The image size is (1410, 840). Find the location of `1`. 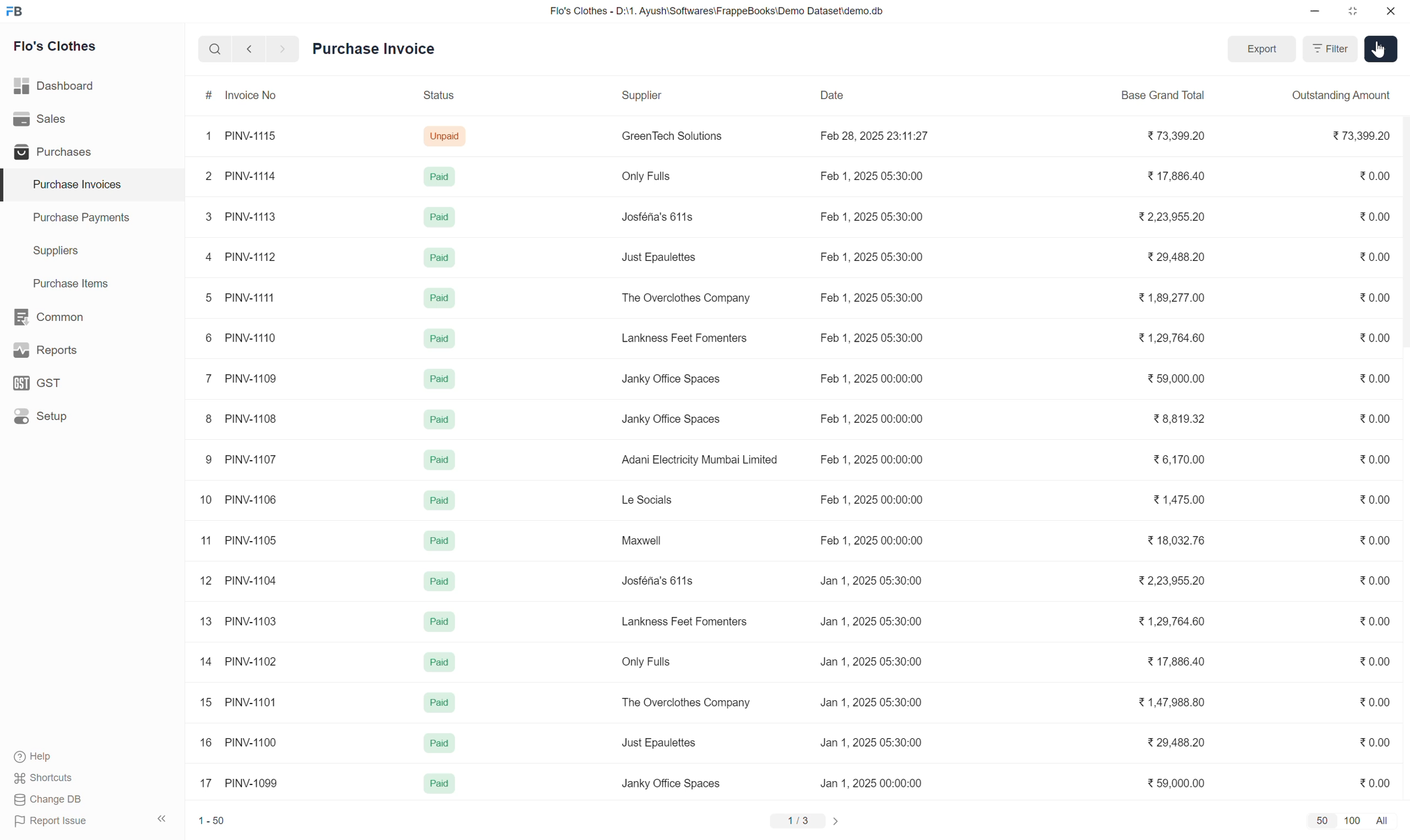

1 is located at coordinates (206, 135).